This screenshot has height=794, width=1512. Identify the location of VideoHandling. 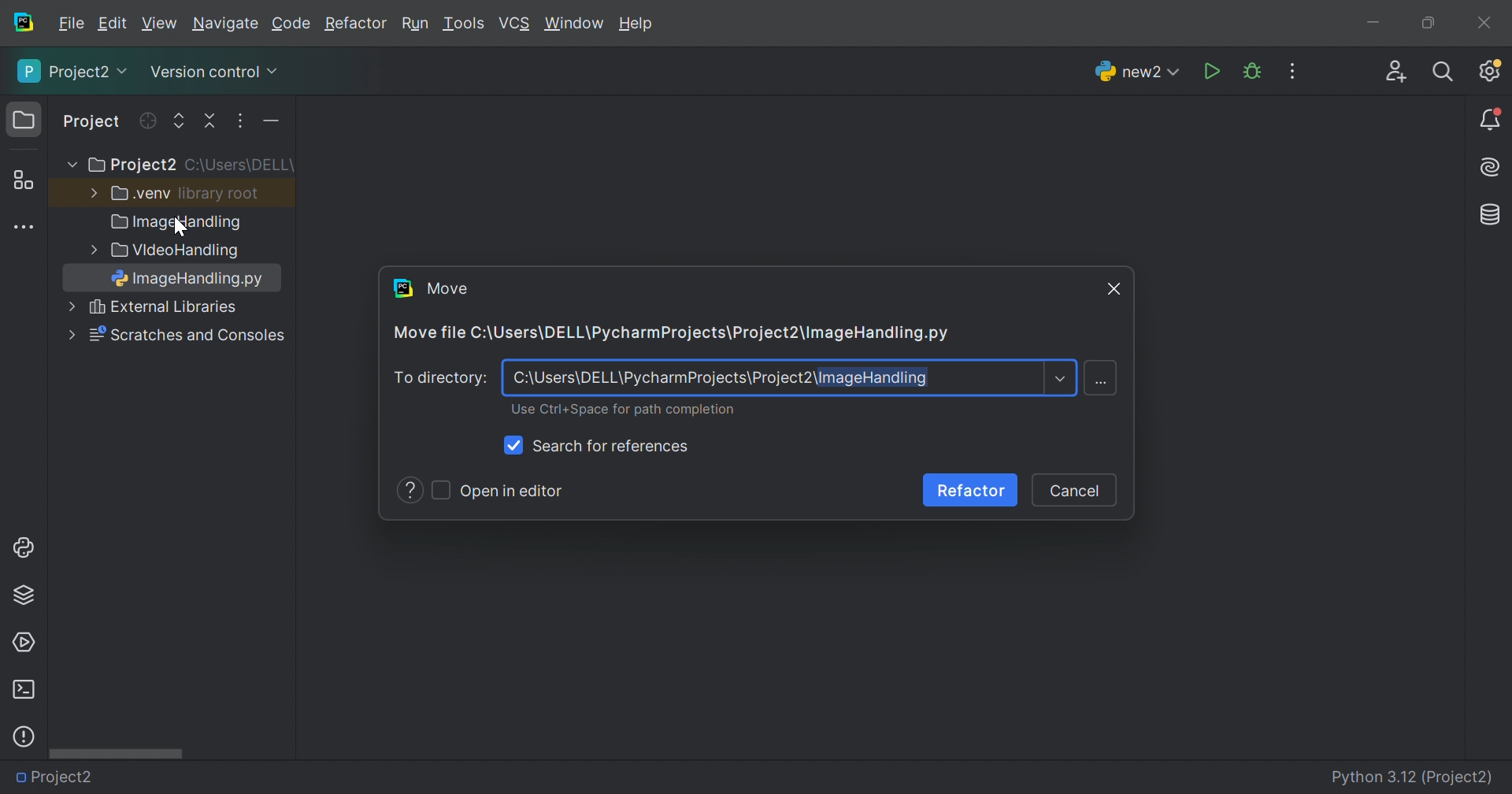
(178, 252).